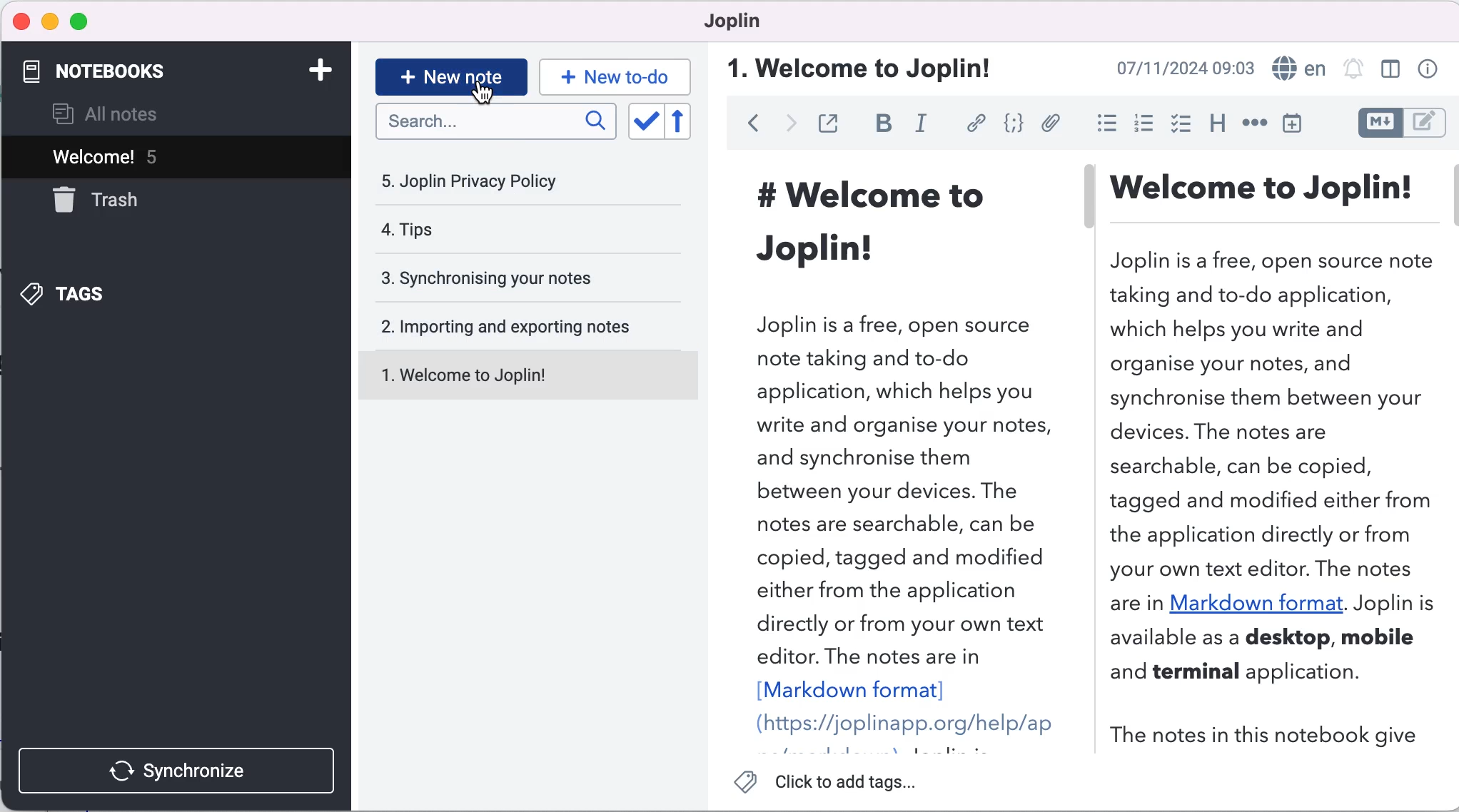  Describe the element at coordinates (644, 121) in the screenshot. I see `toggle sort order field` at that location.